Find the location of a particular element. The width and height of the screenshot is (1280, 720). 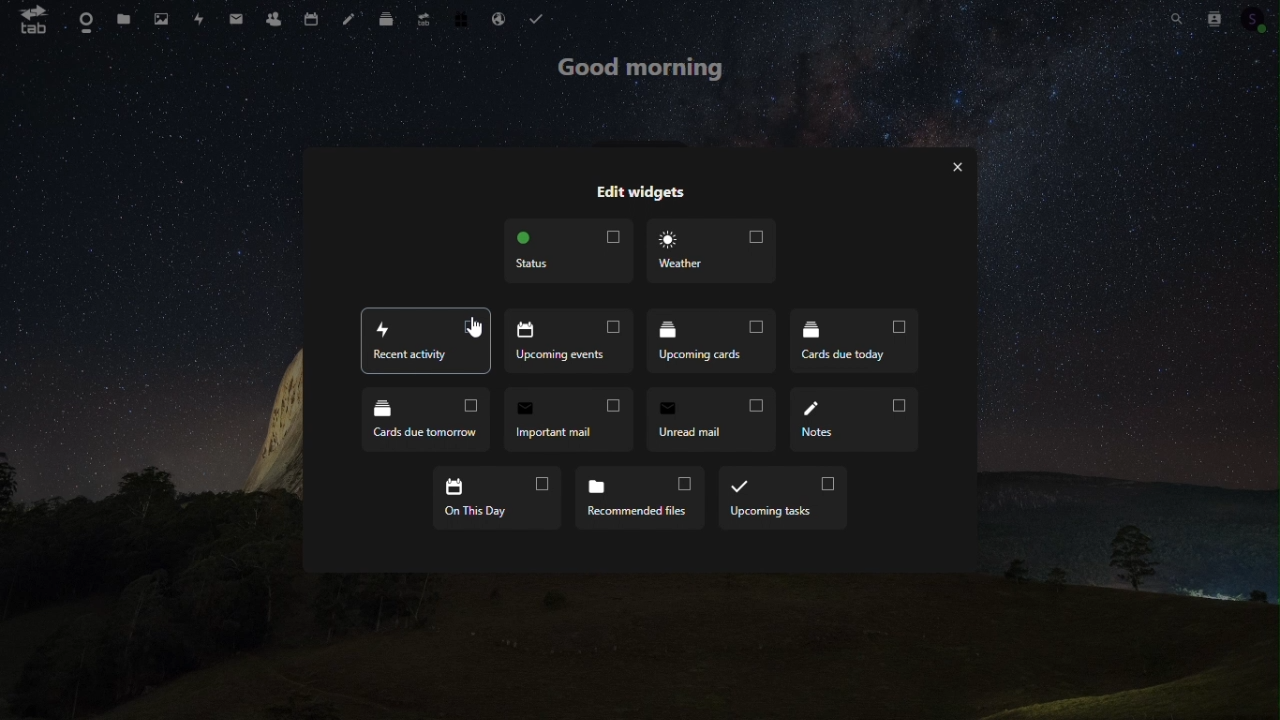

Upcoming cards is located at coordinates (714, 342).